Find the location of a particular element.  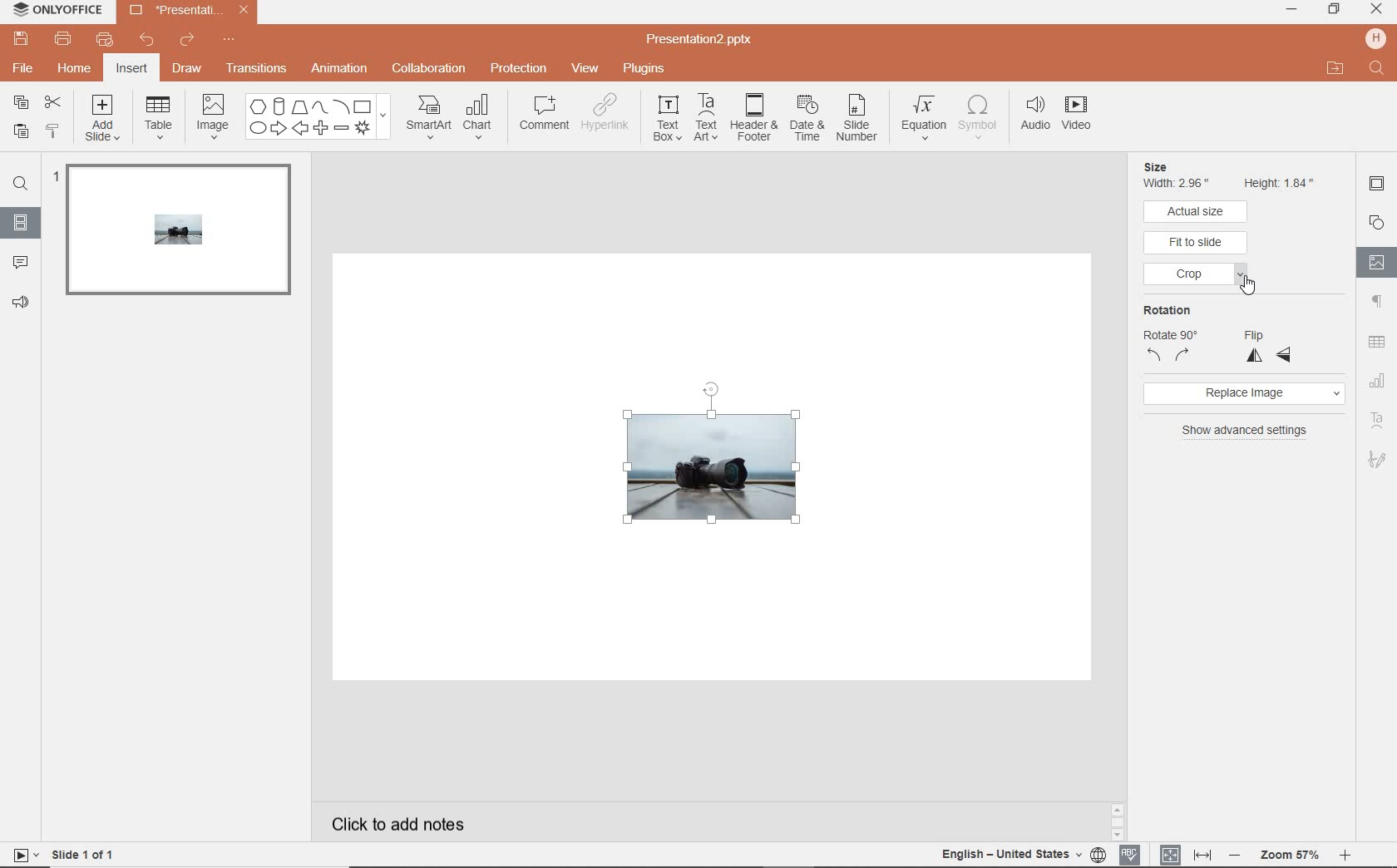

add slide is located at coordinates (104, 118).